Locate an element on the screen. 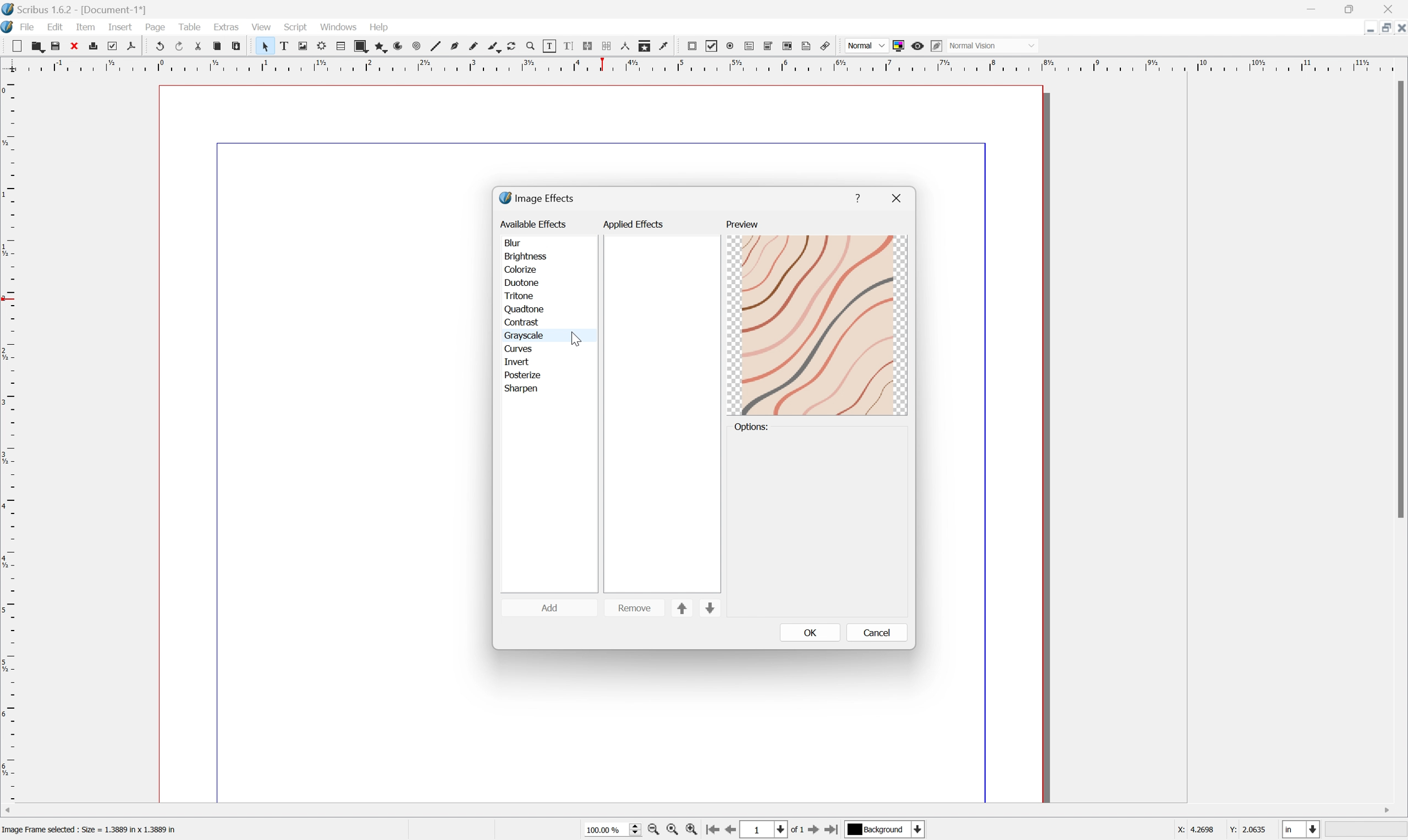 This screenshot has height=840, width=1408. Select the current player is located at coordinates (883, 831).